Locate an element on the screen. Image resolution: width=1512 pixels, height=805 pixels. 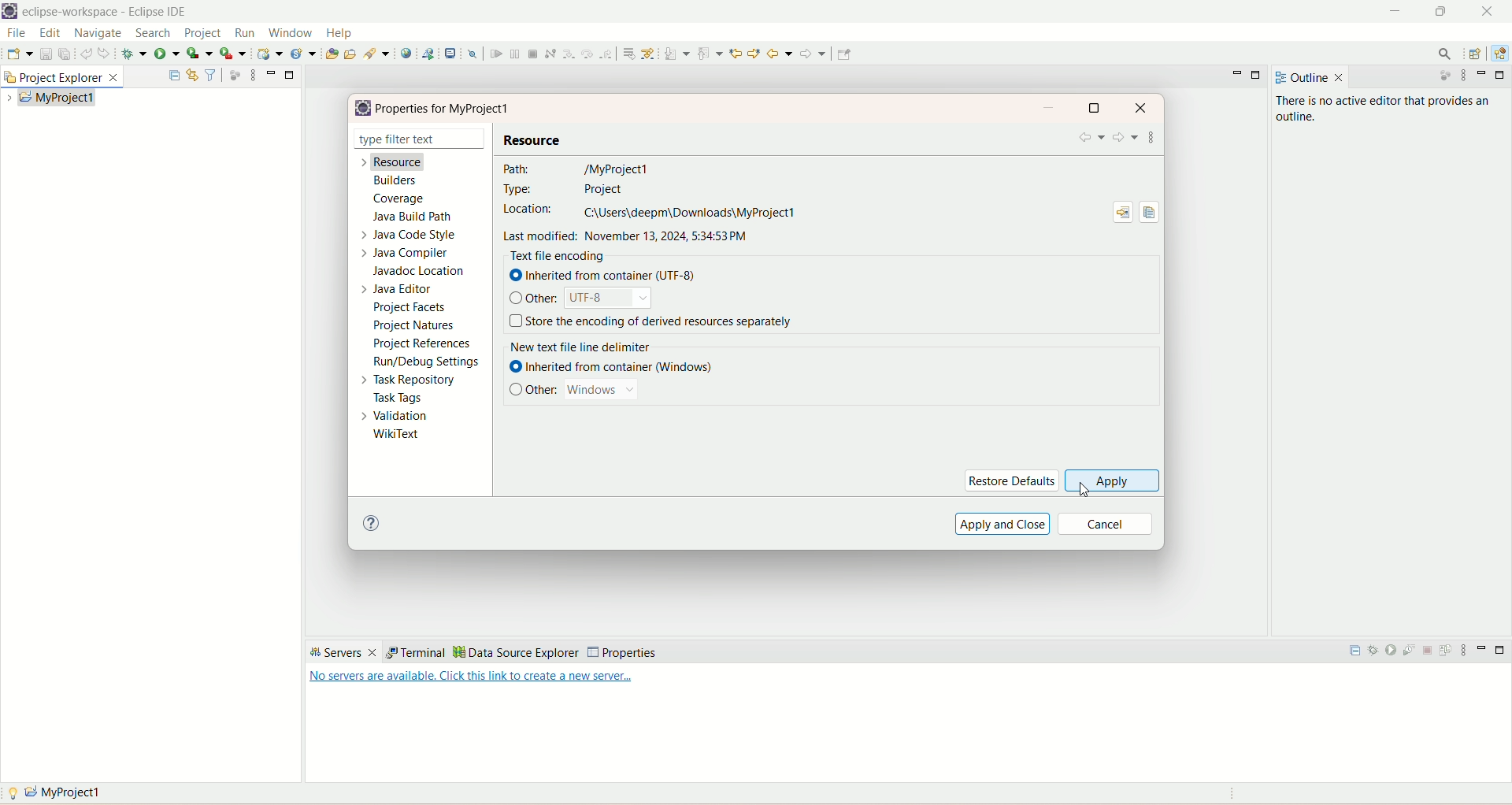
previous annotation is located at coordinates (710, 54).